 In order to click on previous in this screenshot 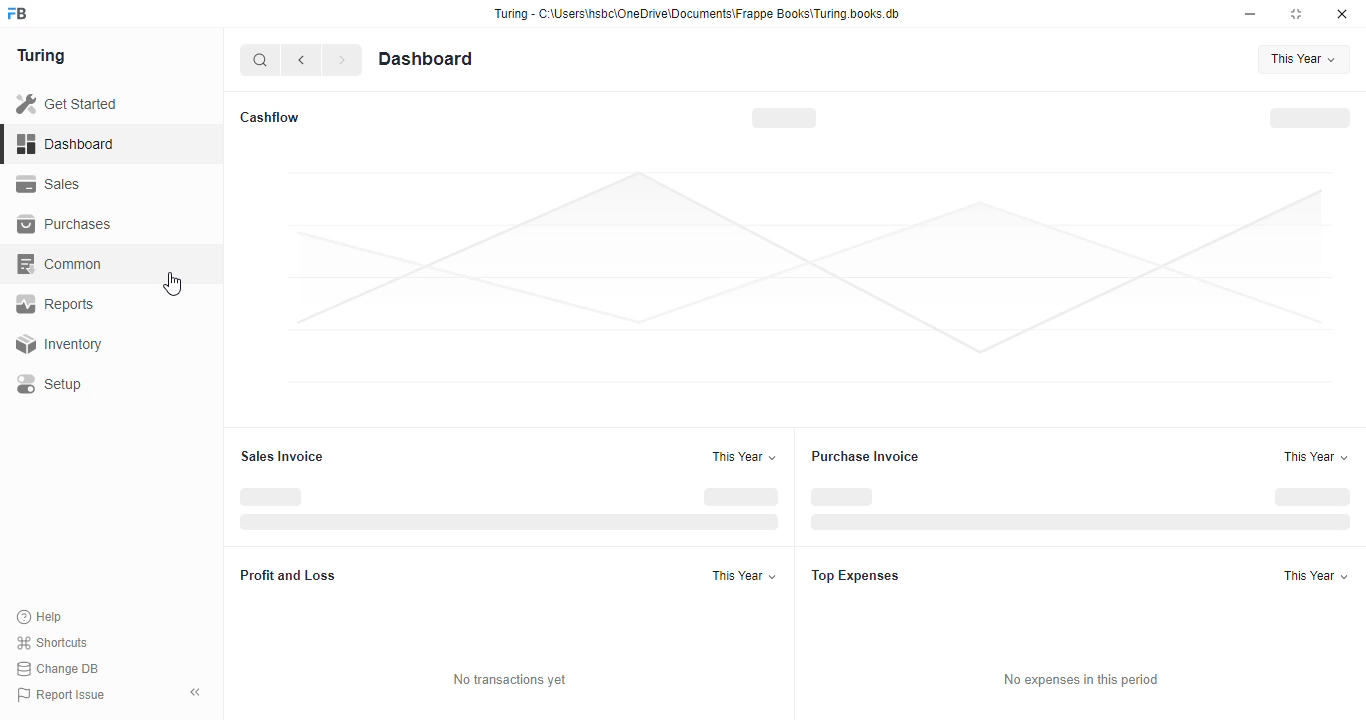, I will do `click(303, 60)`.